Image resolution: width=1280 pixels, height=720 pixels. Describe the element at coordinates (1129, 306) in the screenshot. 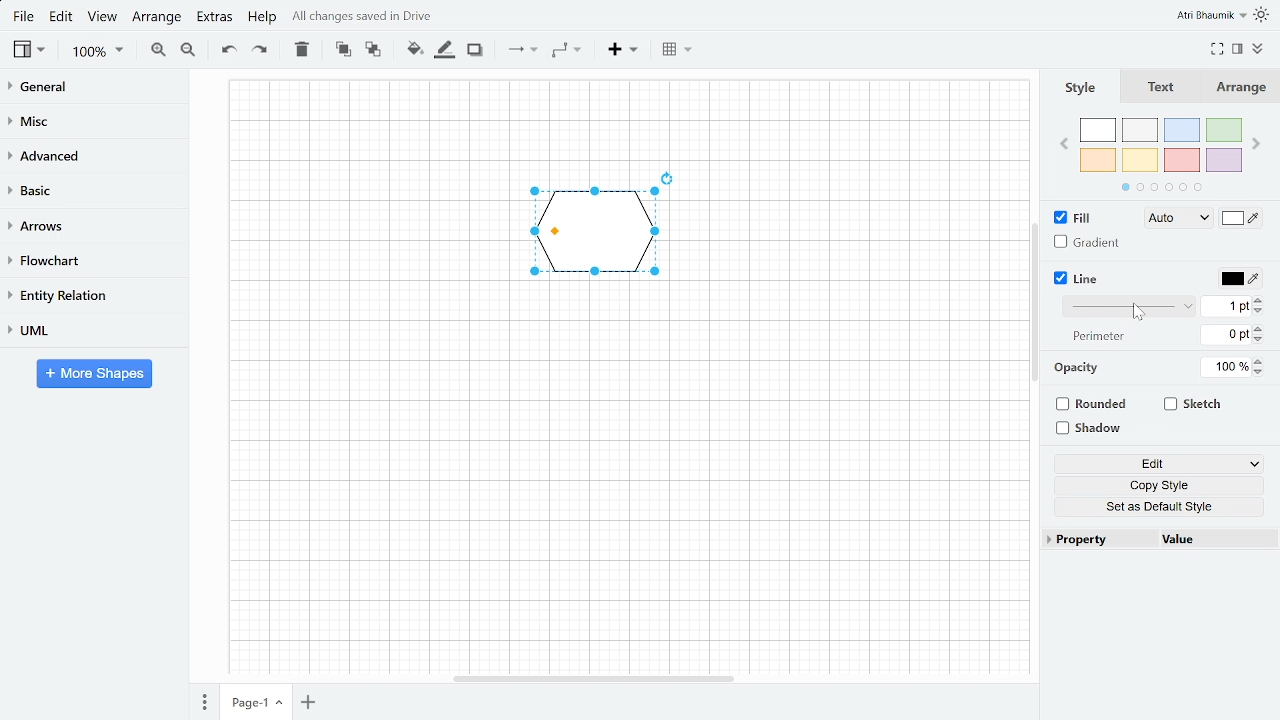

I see `Line style` at that location.